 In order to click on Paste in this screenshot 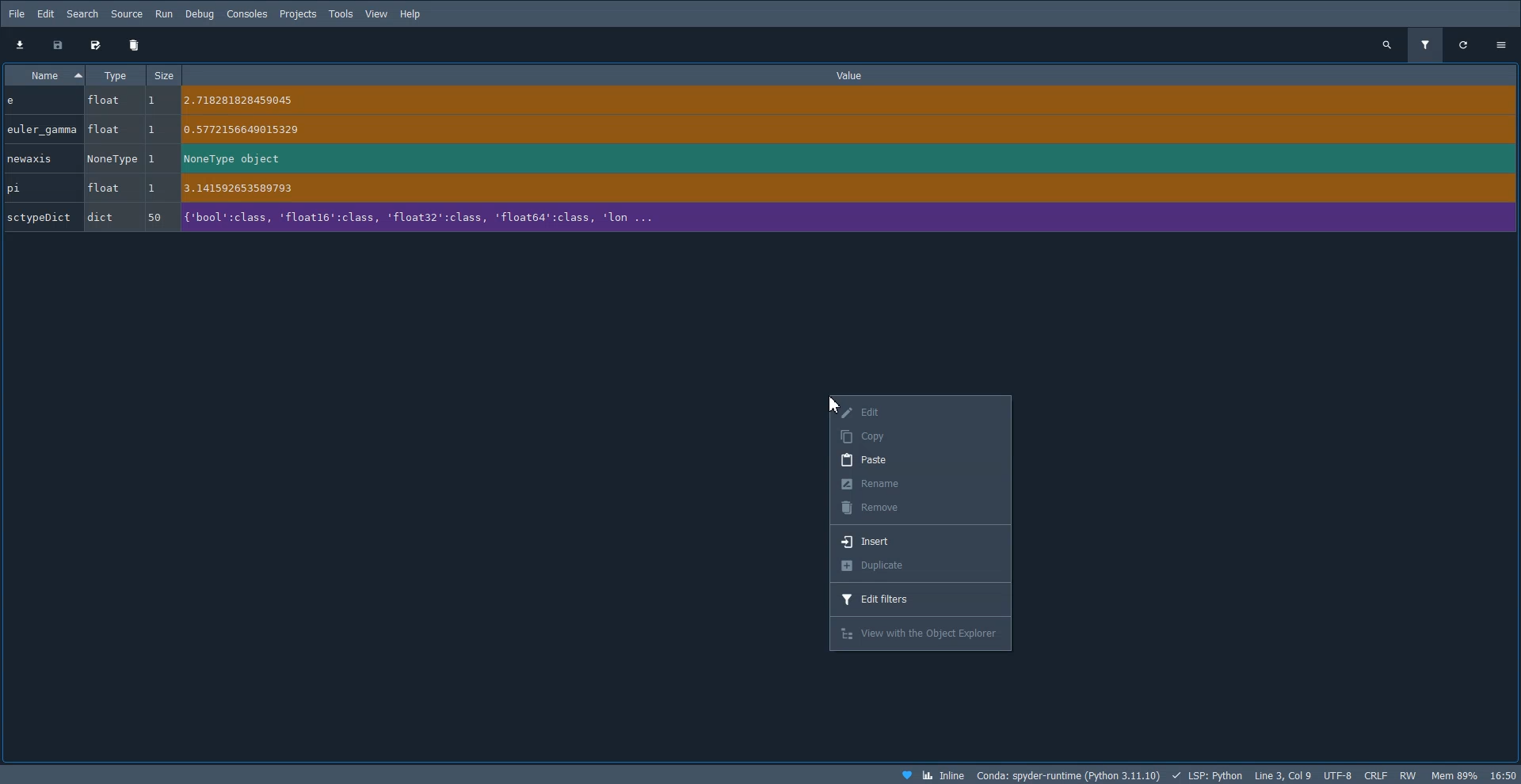, I will do `click(922, 461)`.